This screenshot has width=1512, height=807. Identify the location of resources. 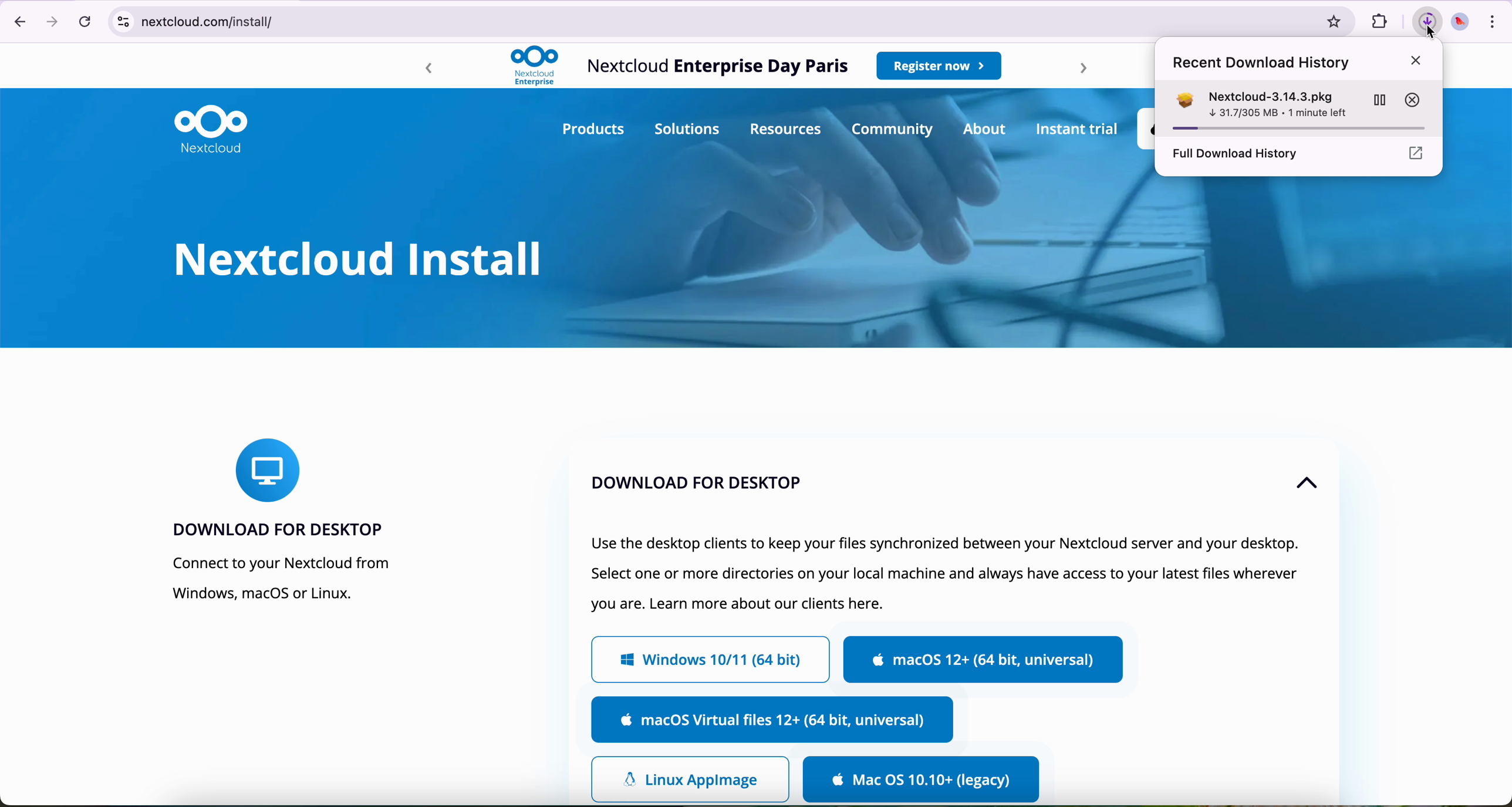
(787, 130).